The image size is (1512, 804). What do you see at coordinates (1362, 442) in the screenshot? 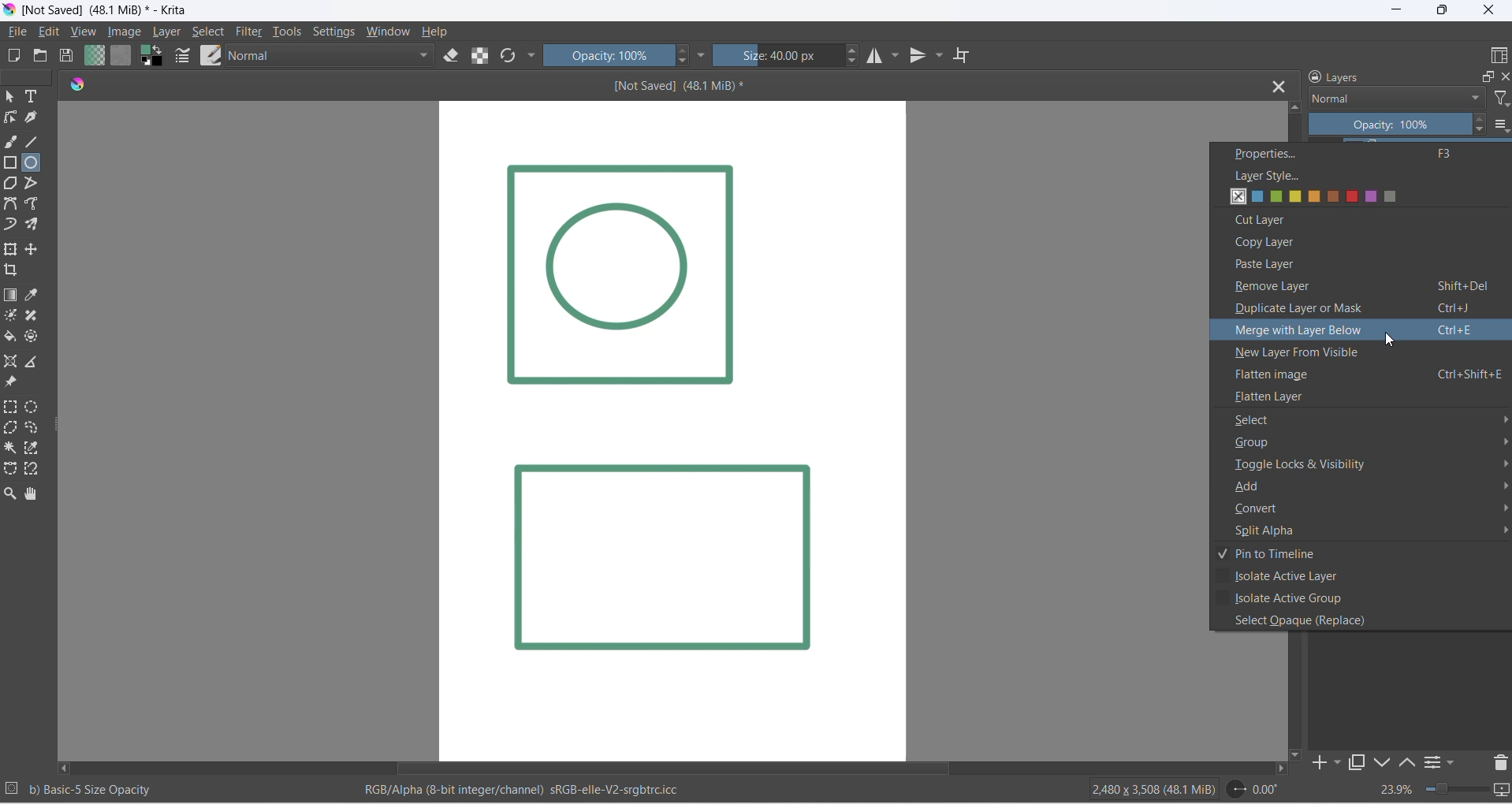
I see `group` at bounding box center [1362, 442].